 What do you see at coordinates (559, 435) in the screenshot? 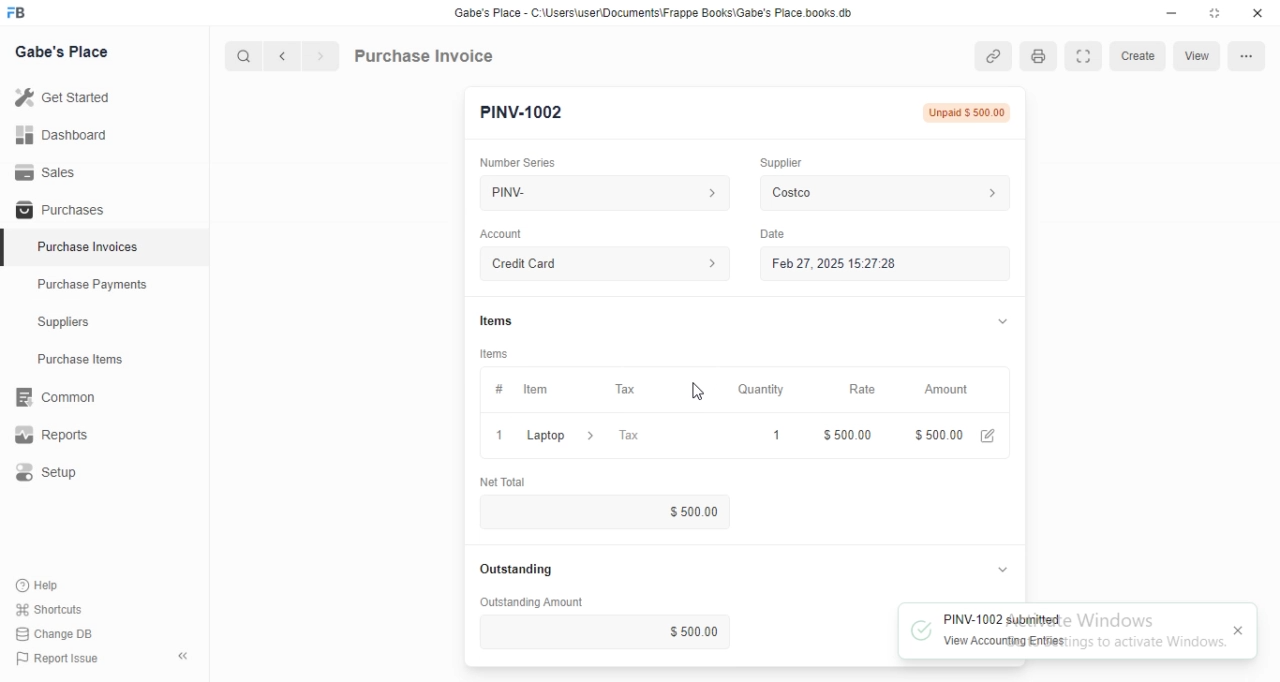
I see `Laptop` at bounding box center [559, 435].